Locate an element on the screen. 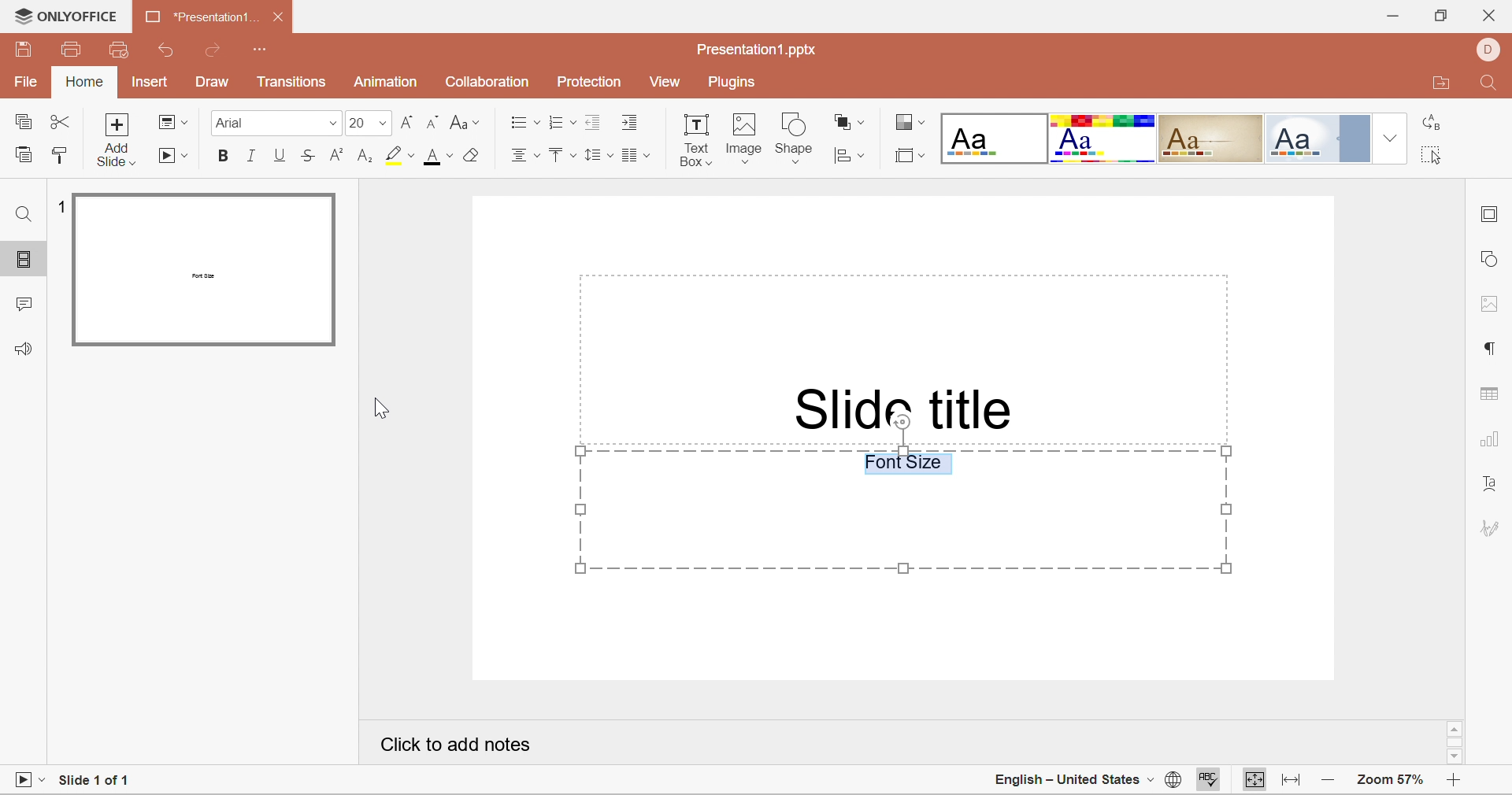  Insert is located at coordinates (150, 83).